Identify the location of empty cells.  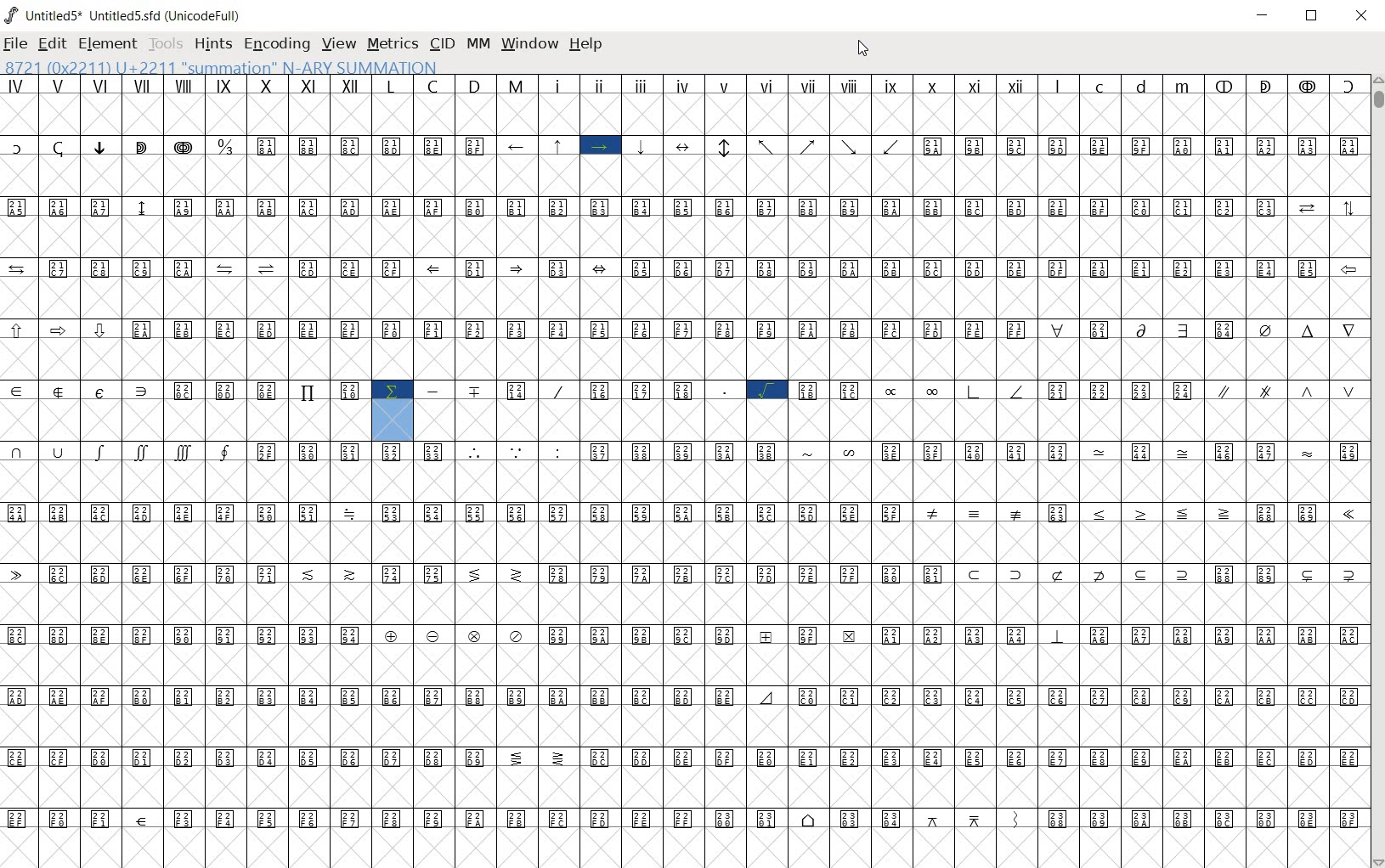
(187, 421).